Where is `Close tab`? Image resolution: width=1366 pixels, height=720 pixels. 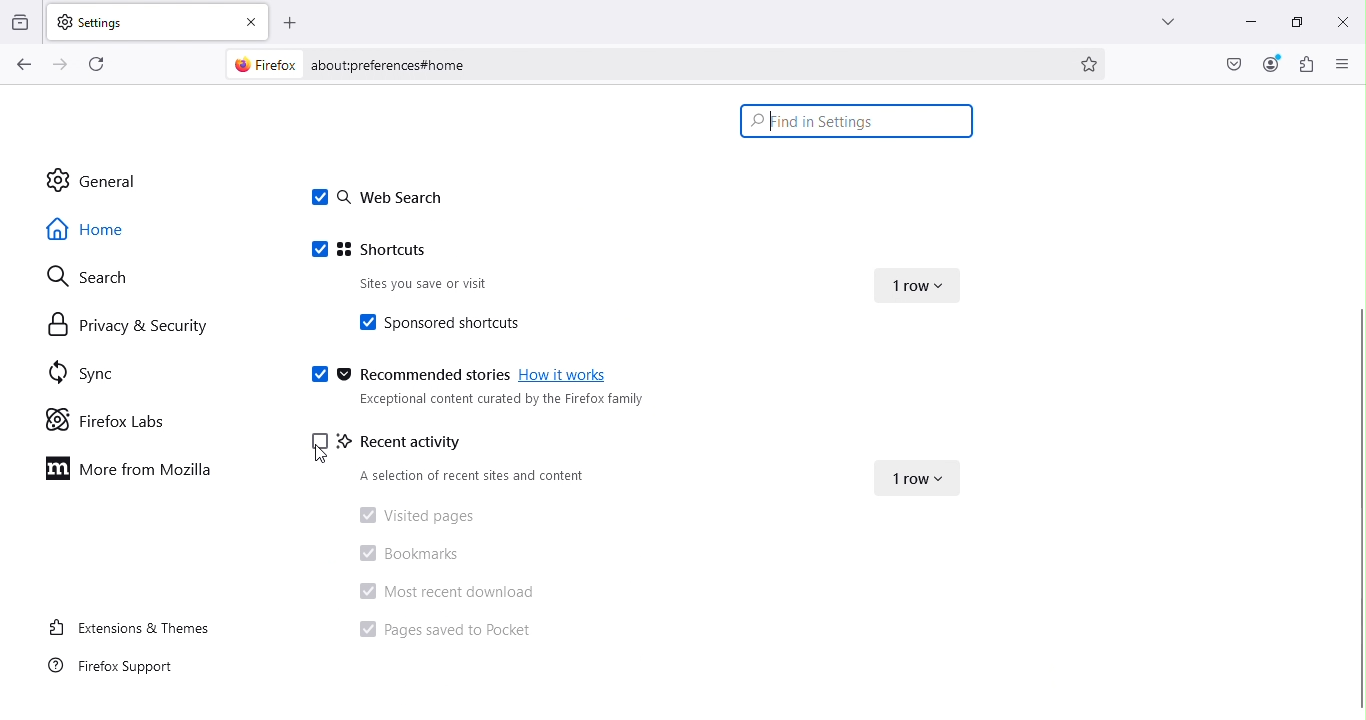
Close tab is located at coordinates (254, 21).